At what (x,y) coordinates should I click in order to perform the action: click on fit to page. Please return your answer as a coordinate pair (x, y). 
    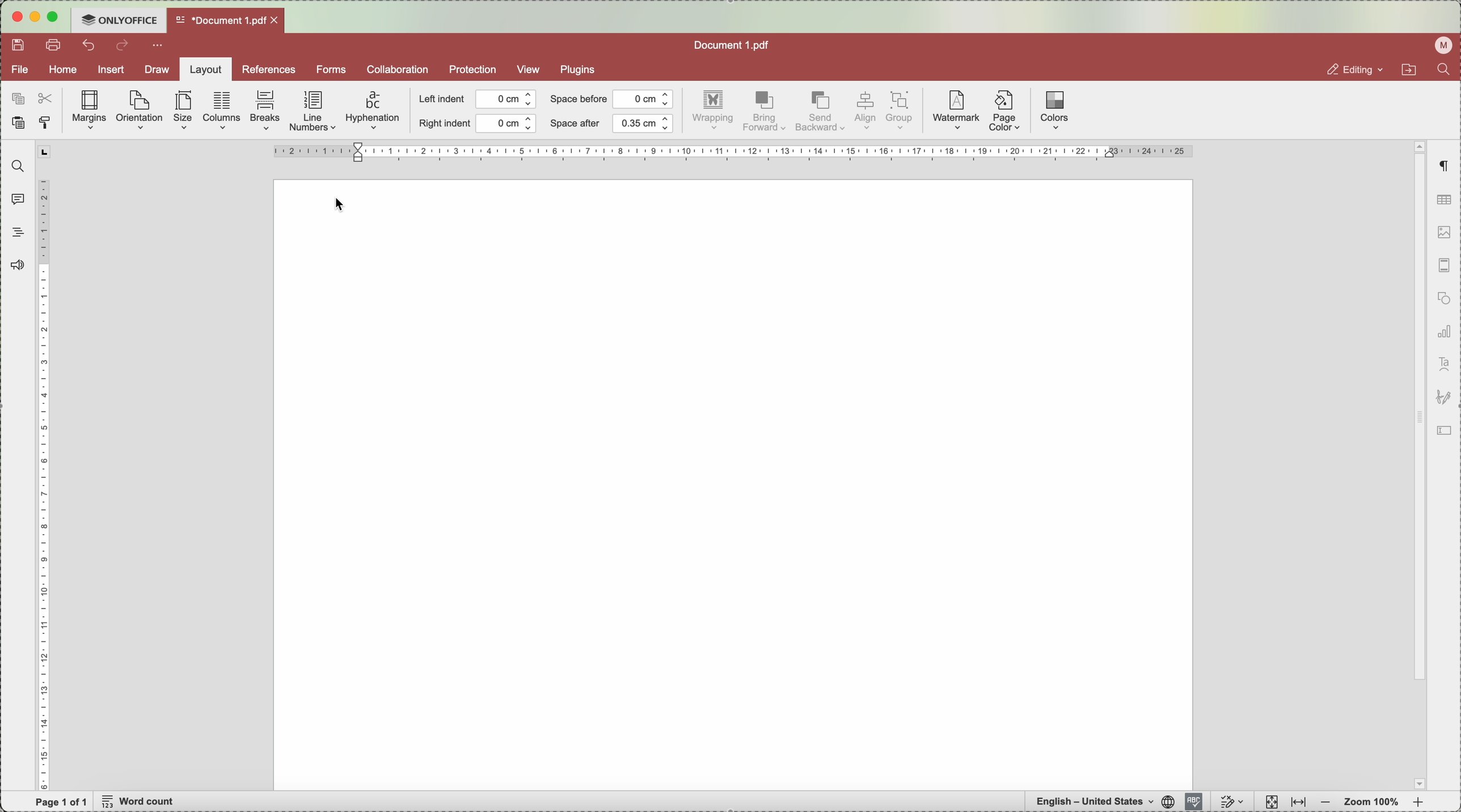
    Looking at the image, I should click on (1270, 802).